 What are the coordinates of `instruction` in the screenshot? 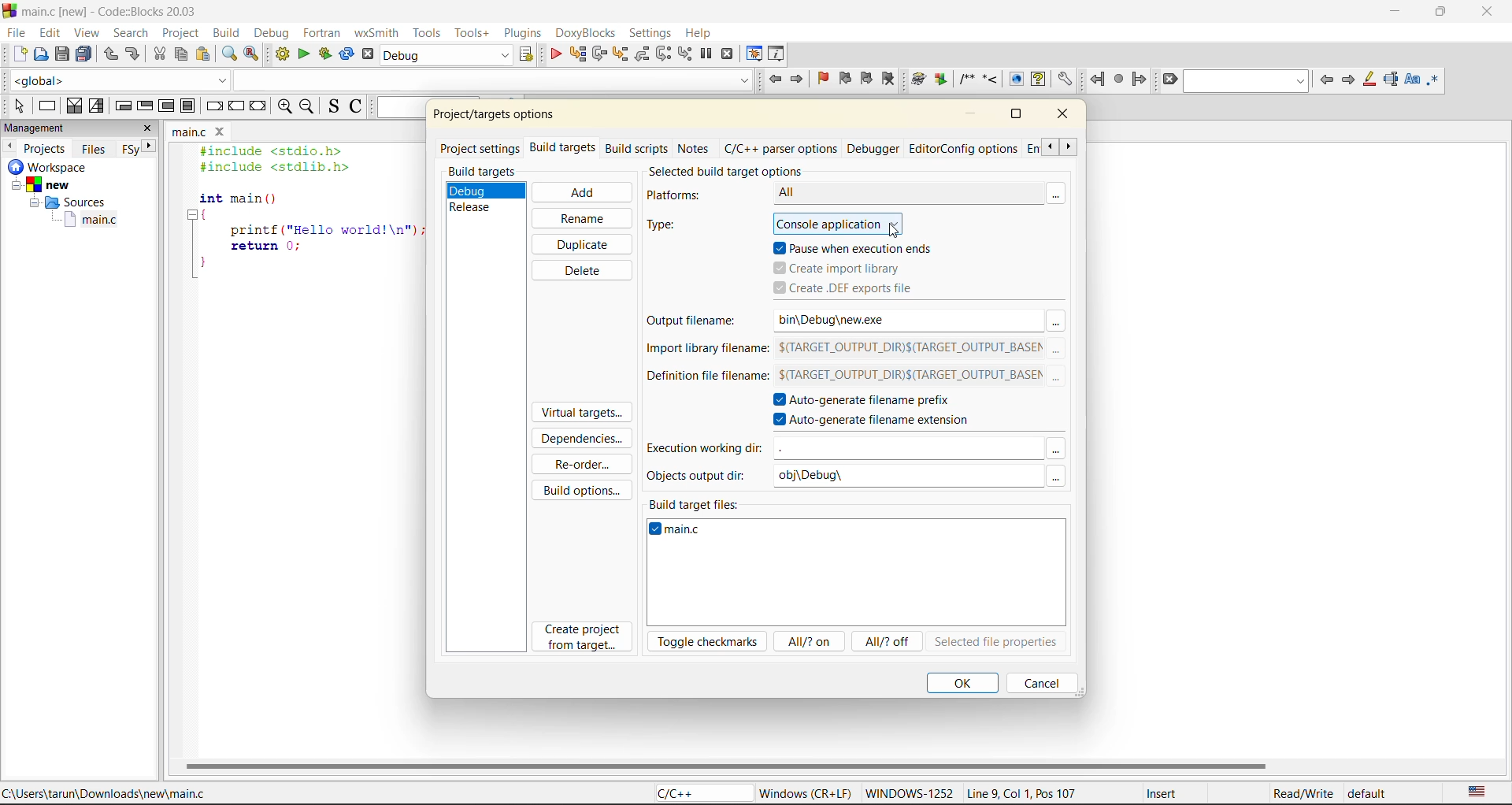 It's located at (47, 106).